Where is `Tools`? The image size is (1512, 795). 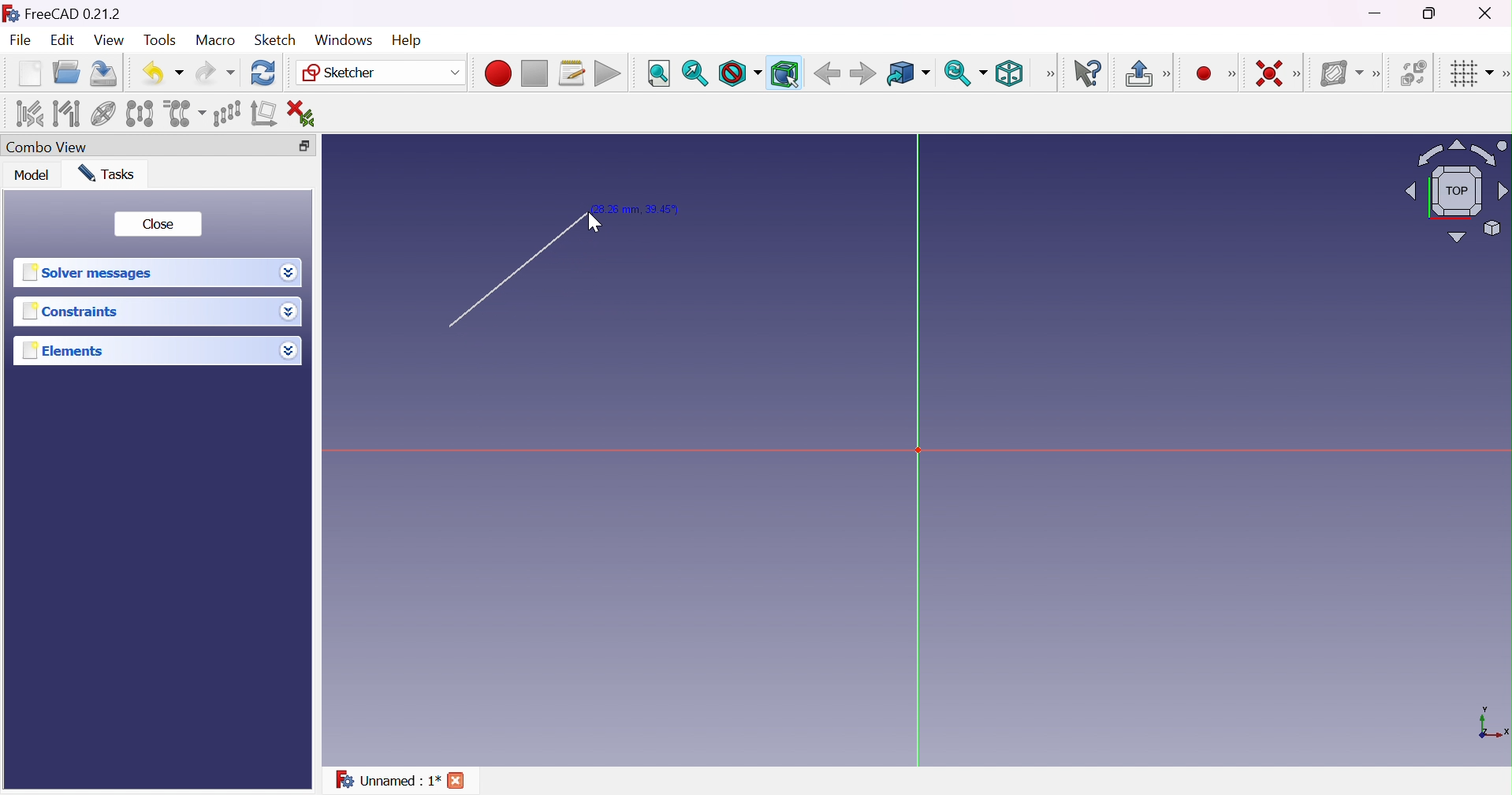 Tools is located at coordinates (159, 41).